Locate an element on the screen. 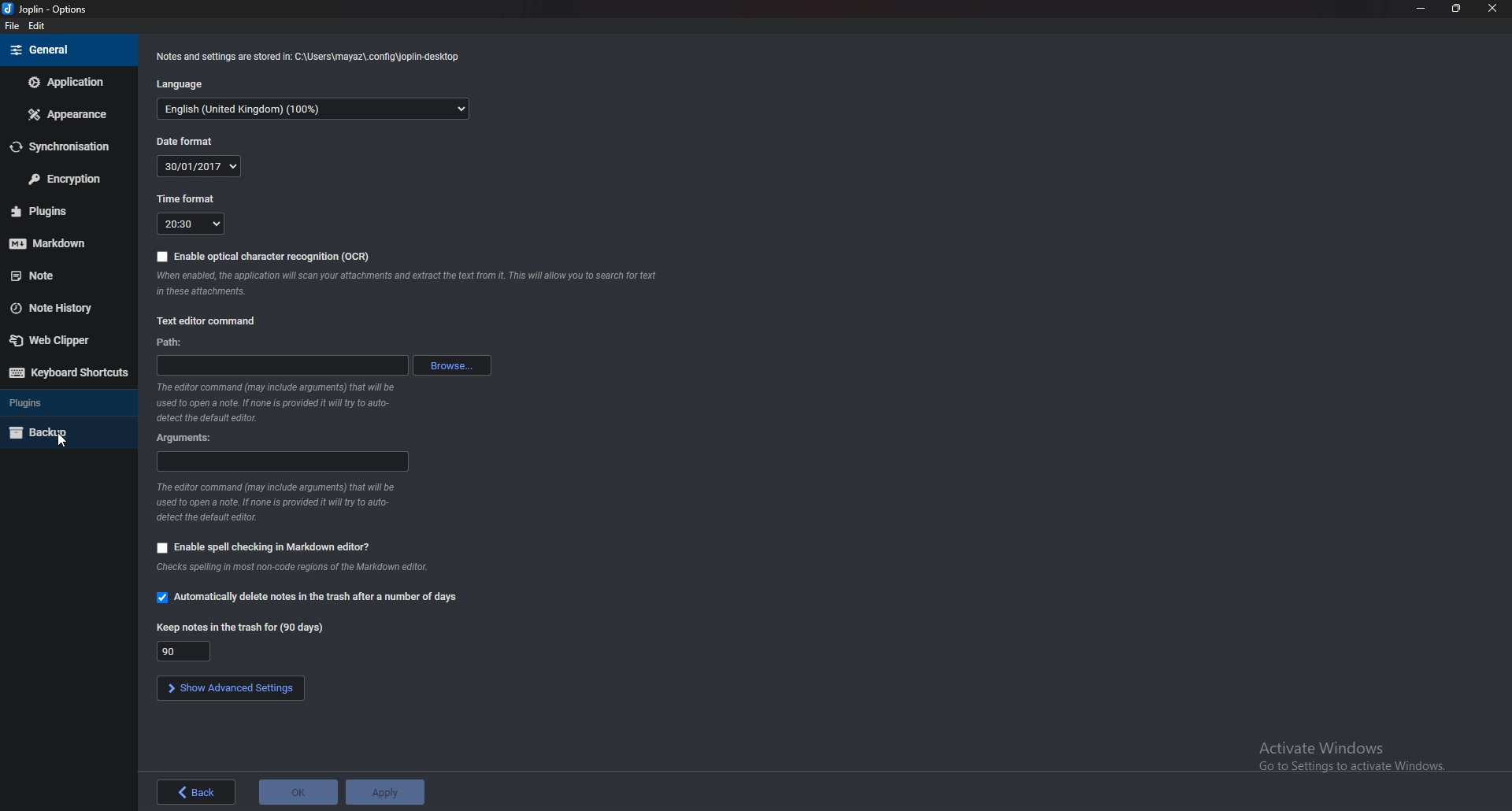 The width and height of the screenshot is (1512, 811). path is located at coordinates (282, 365).